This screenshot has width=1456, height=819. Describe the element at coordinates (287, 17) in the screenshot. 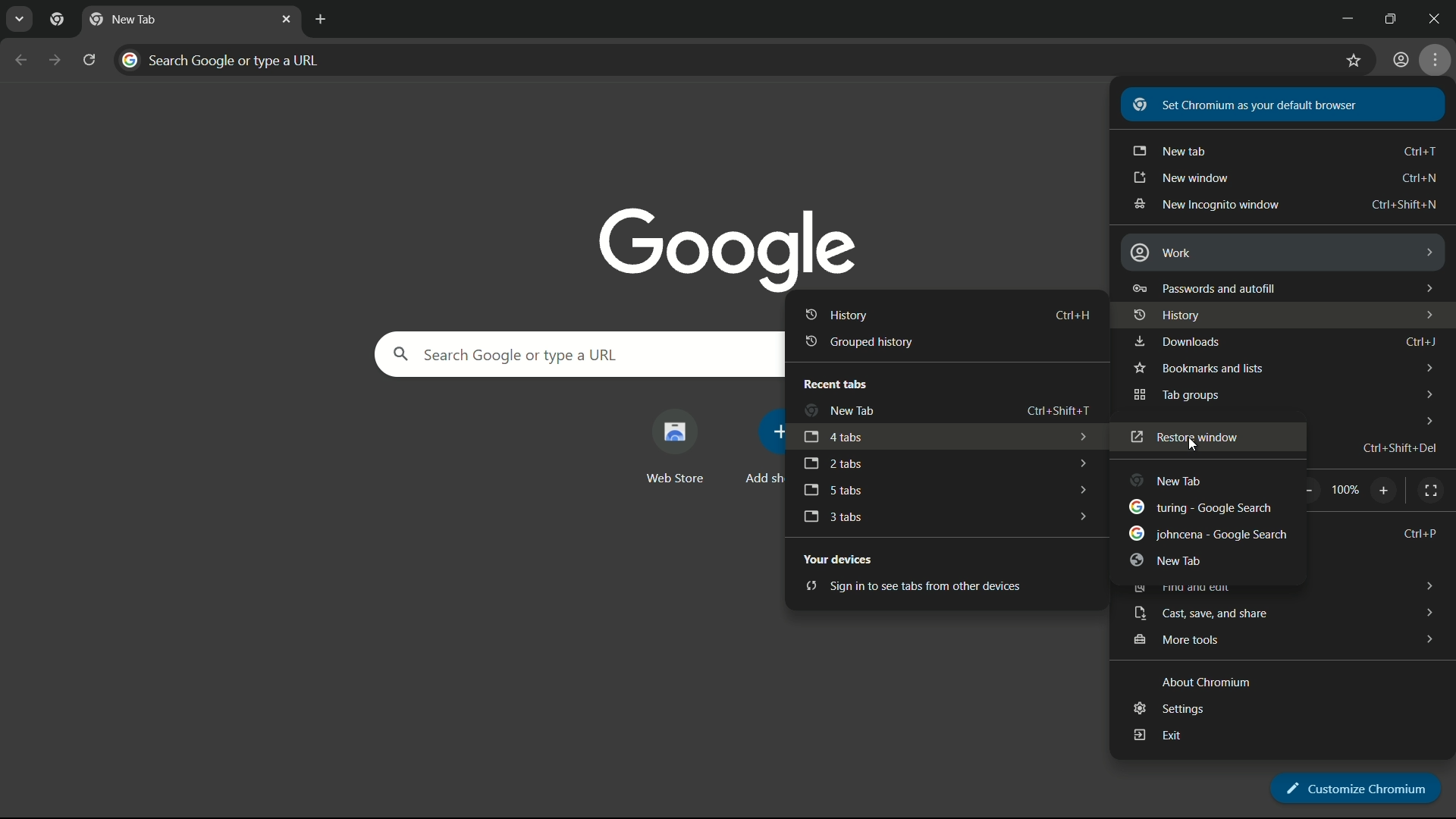

I see `close` at that location.